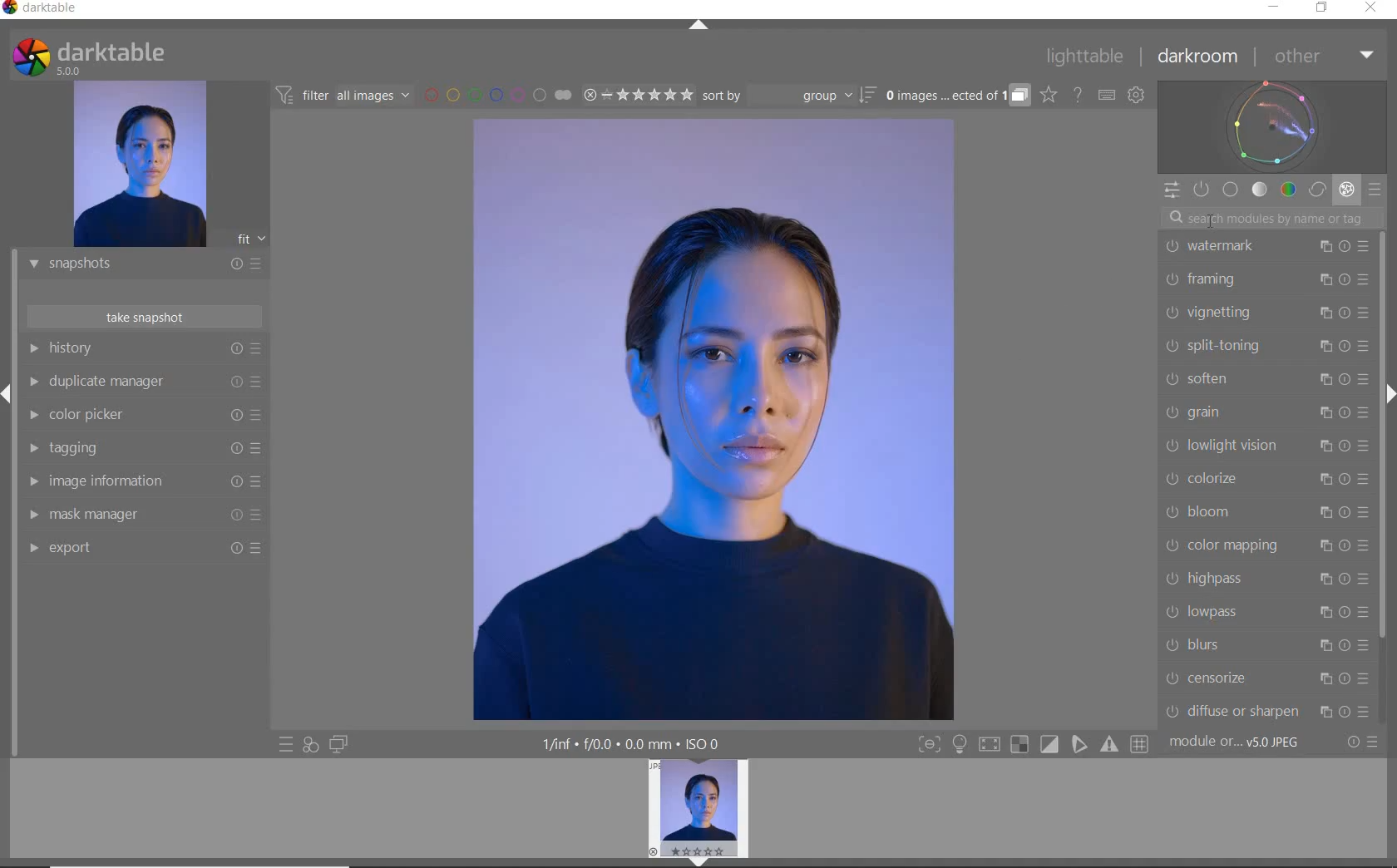  What do you see at coordinates (1265, 611) in the screenshot?
I see `LOWPASS` at bounding box center [1265, 611].